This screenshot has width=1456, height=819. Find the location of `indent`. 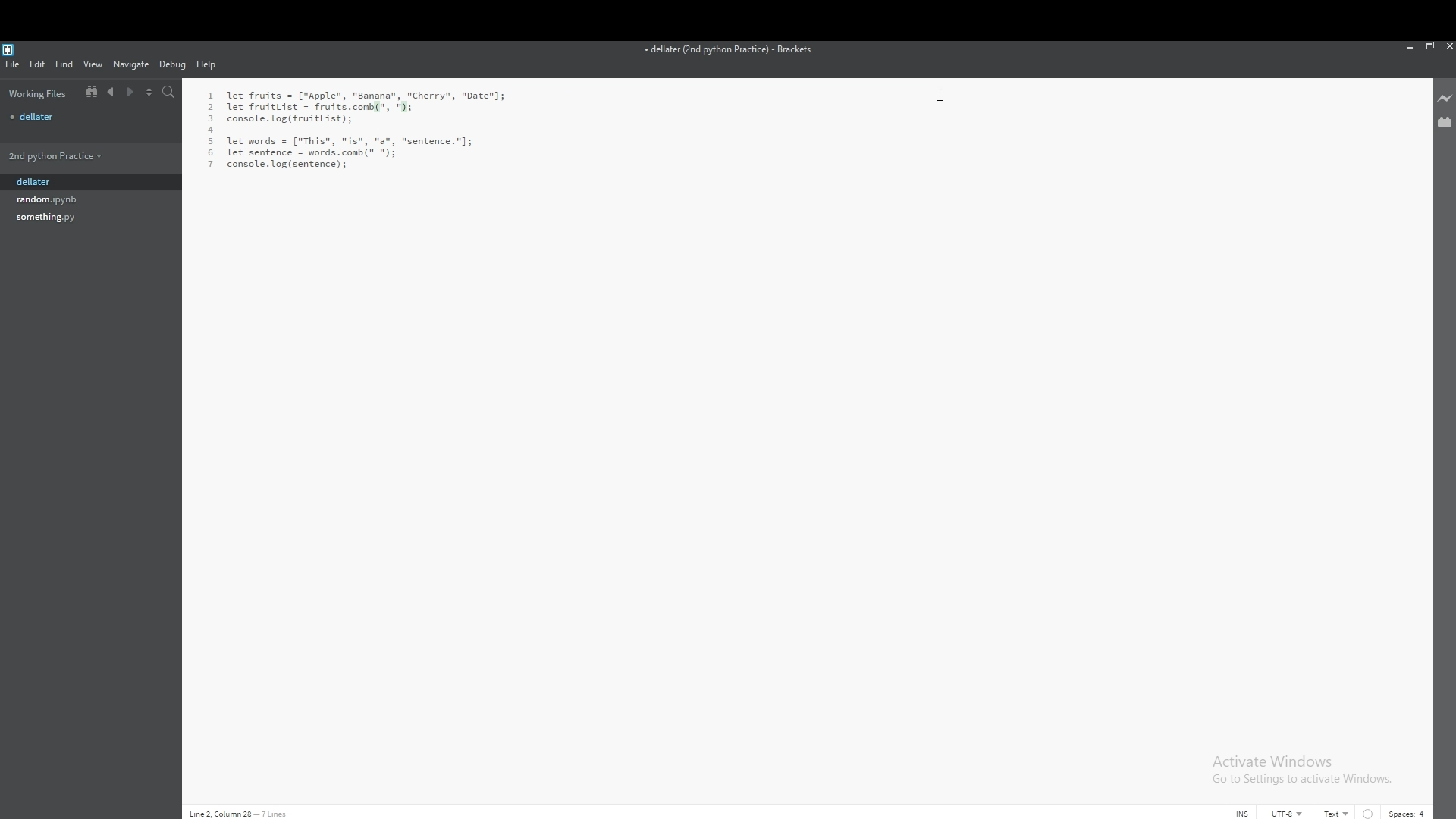

indent is located at coordinates (1368, 813).